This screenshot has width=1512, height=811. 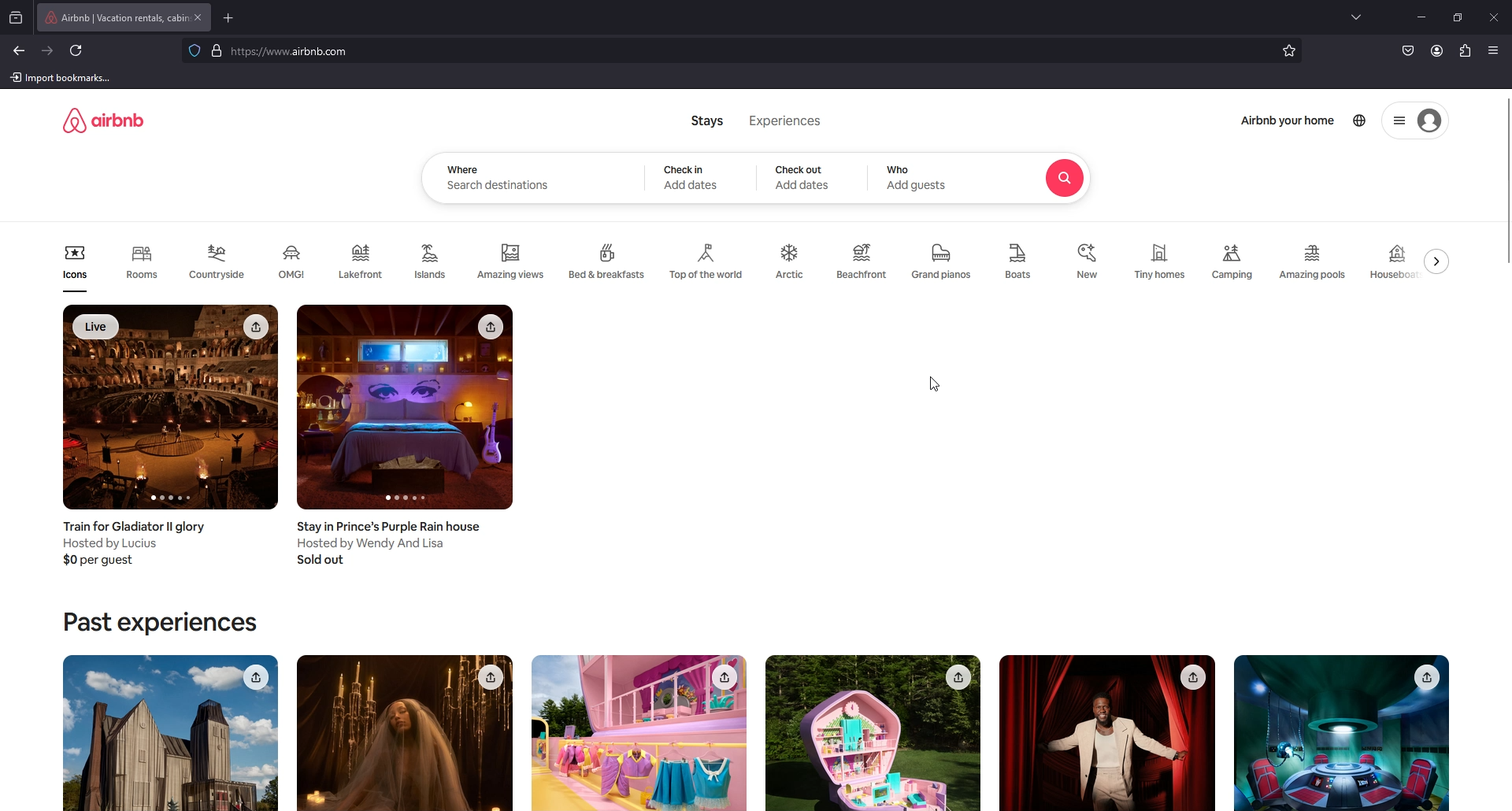 What do you see at coordinates (363, 261) in the screenshot?
I see `Lakefront` at bounding box center [363, 261].